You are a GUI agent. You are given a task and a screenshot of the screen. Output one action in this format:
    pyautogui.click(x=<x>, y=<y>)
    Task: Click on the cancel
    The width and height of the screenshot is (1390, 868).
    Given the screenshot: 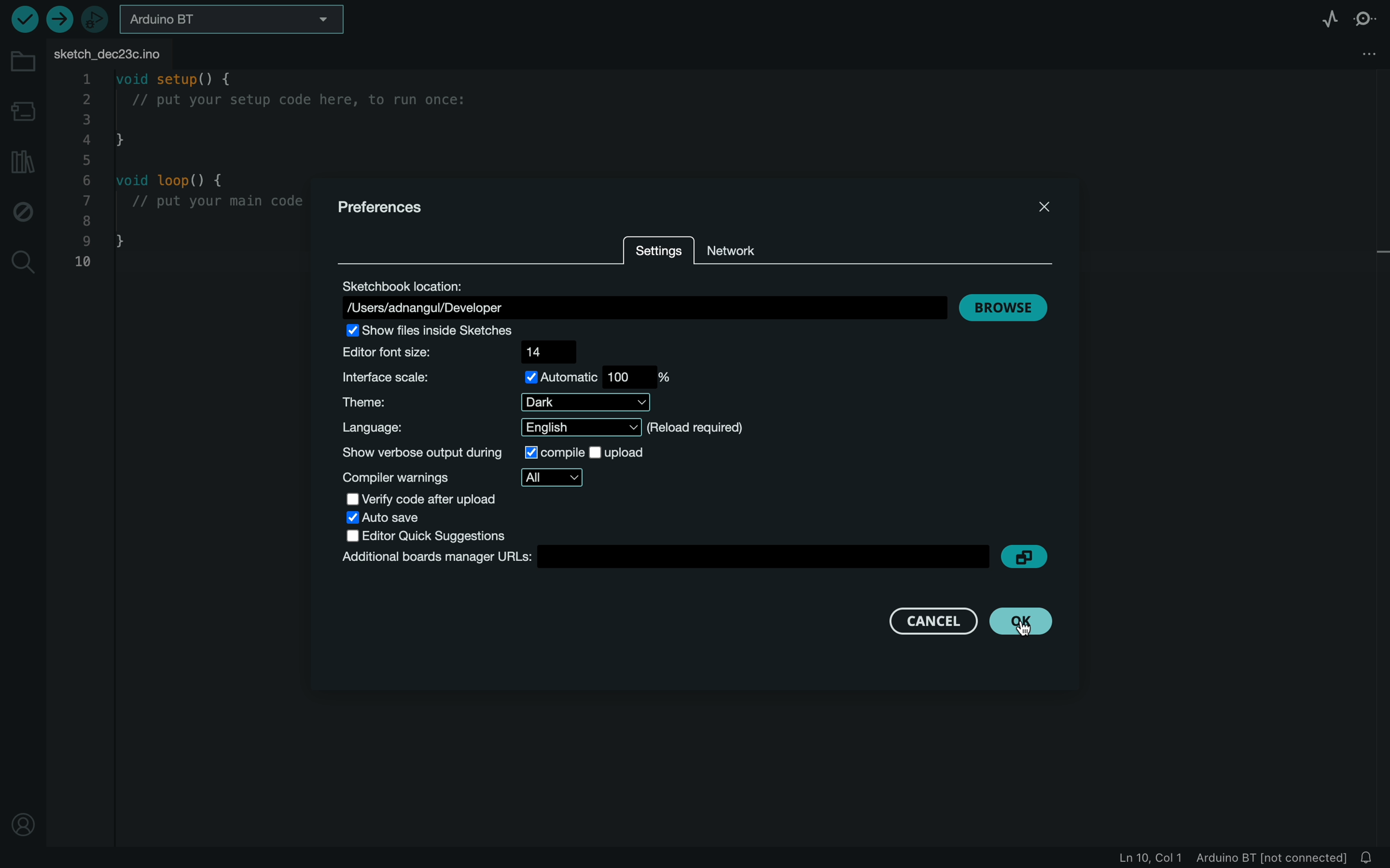 What is the action you would take?
    pyautogui.click(x=934, y=621)
    